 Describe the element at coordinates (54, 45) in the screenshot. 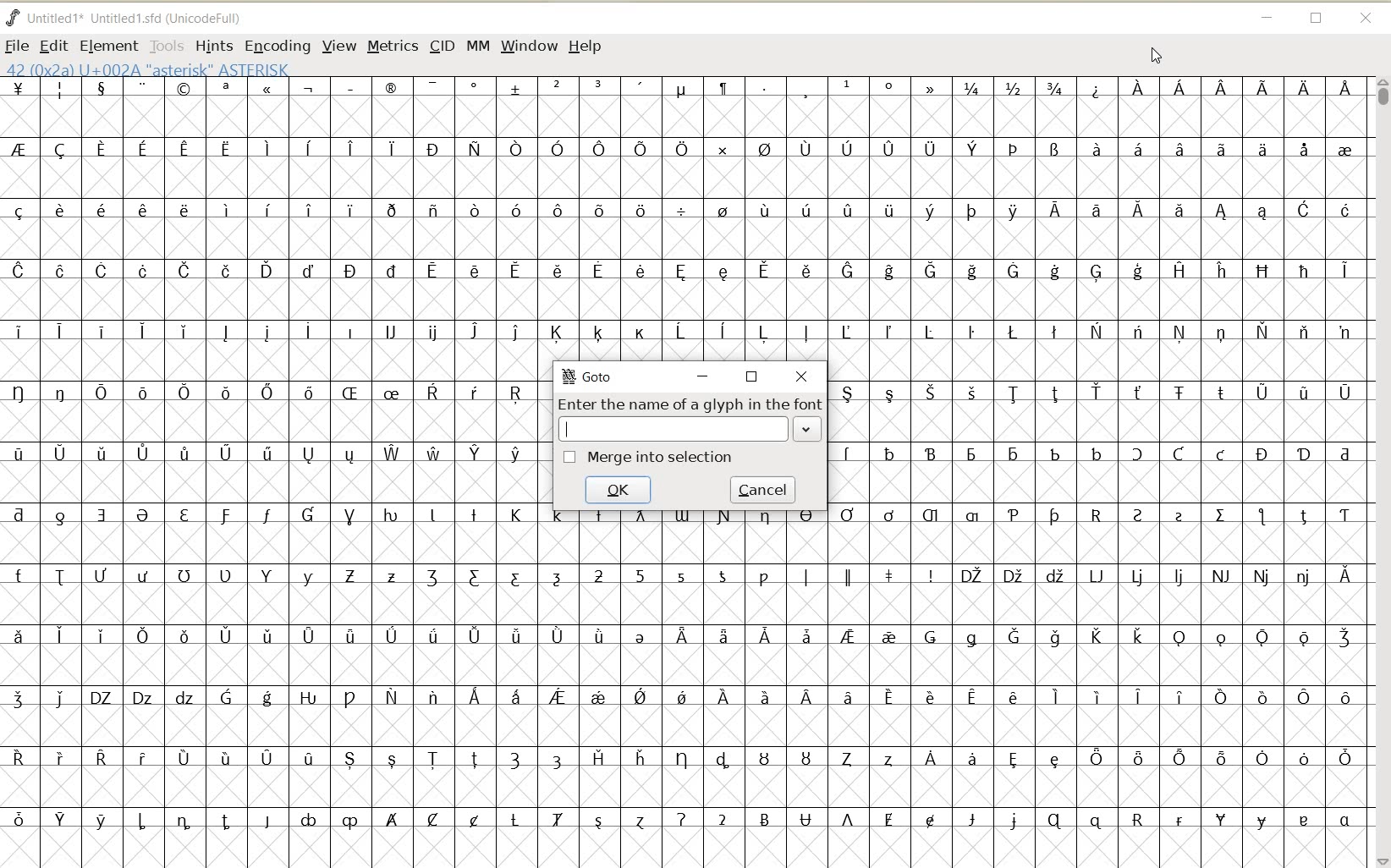

I see `EDIT` at that location.